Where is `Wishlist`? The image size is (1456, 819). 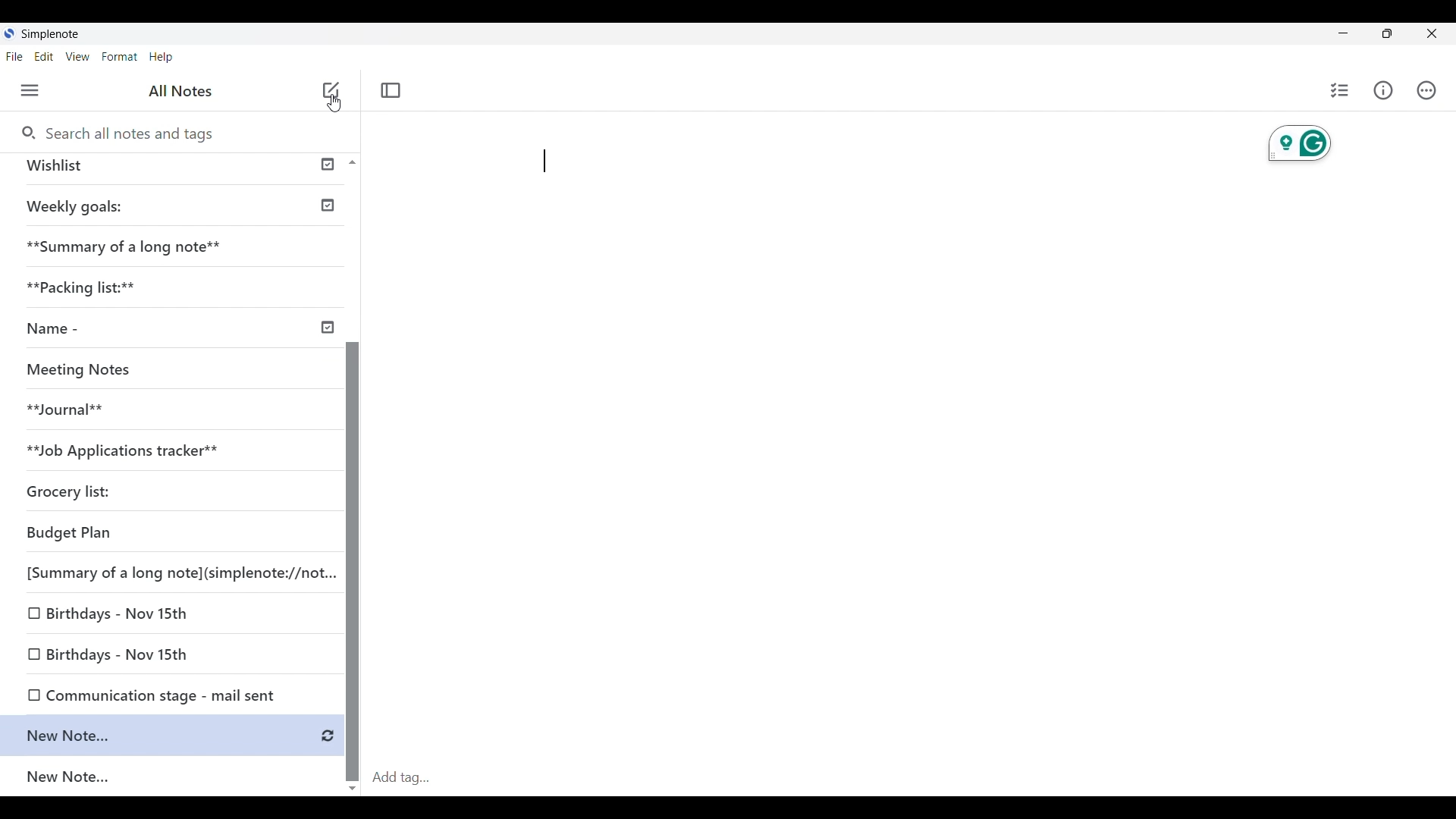 Wishlist is located at coordinates (59, 165).